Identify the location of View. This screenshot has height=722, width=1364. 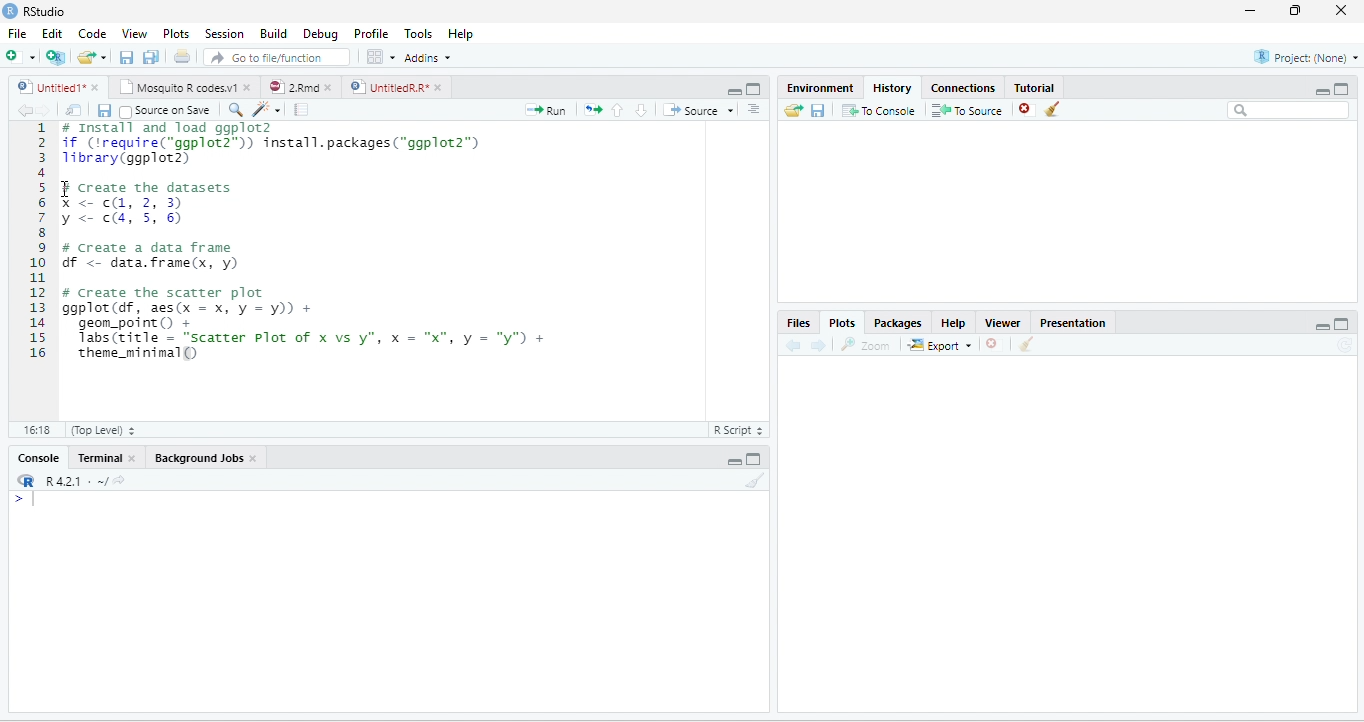
(134, 33).